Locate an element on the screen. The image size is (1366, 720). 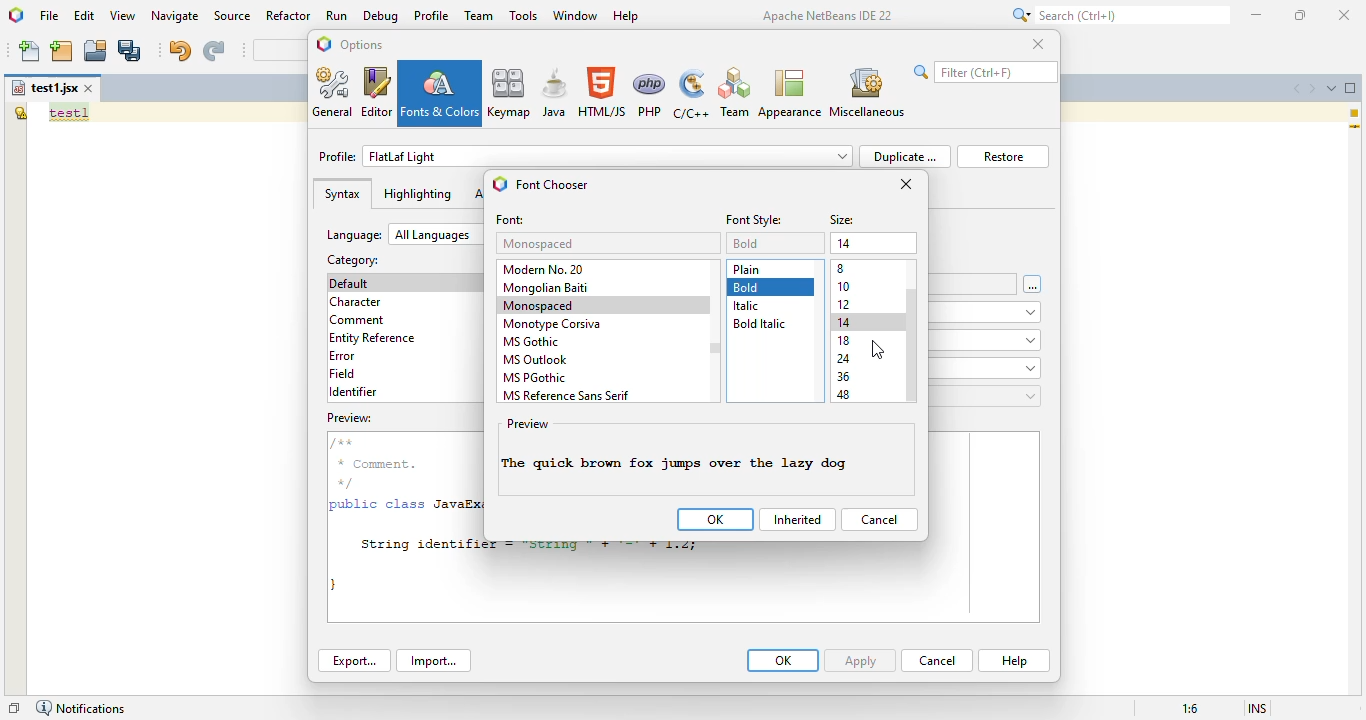
identifier is located at coordinates (353, 392).